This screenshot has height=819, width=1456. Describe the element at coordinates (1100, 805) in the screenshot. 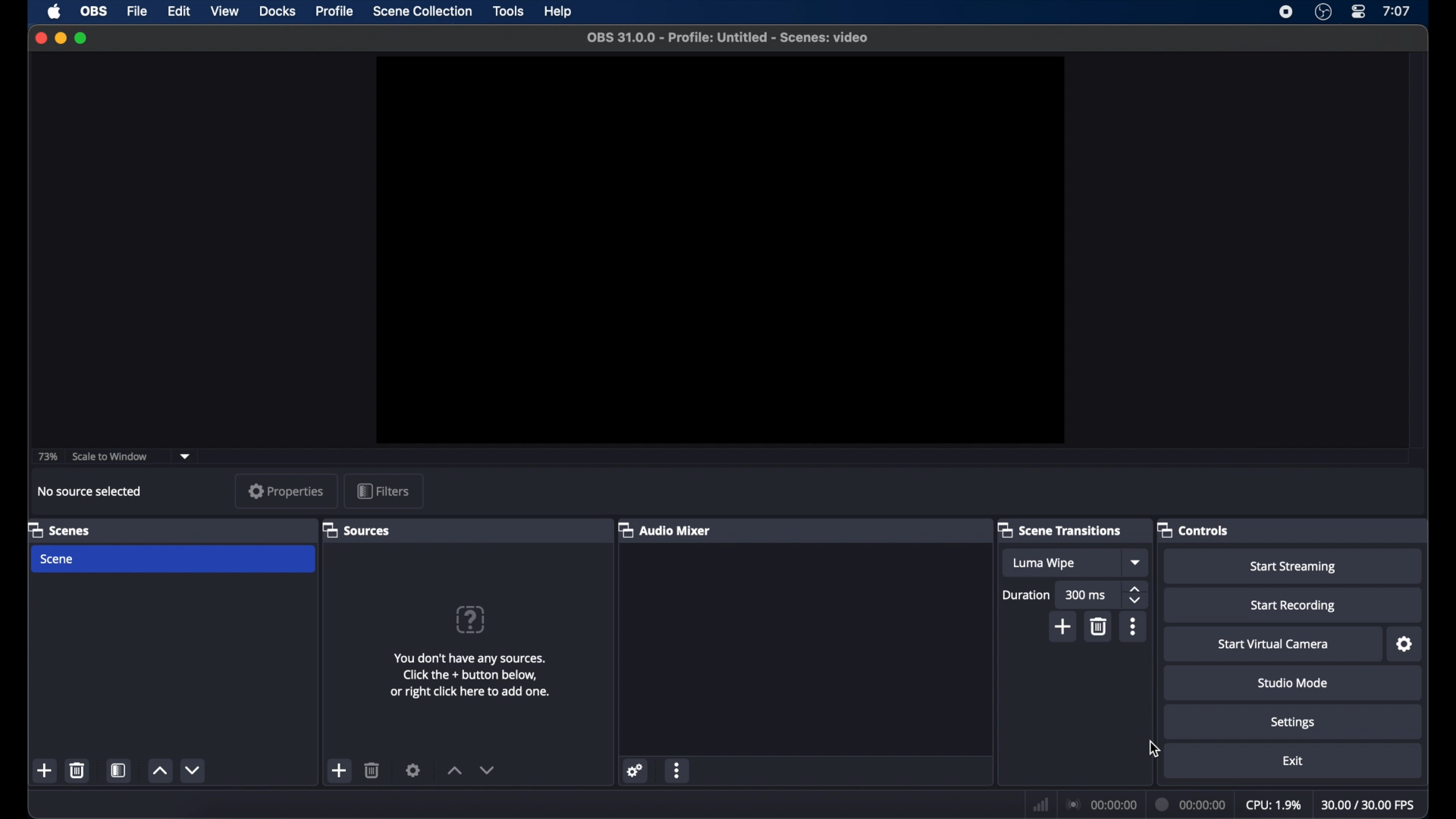

I see `connection` at that location.